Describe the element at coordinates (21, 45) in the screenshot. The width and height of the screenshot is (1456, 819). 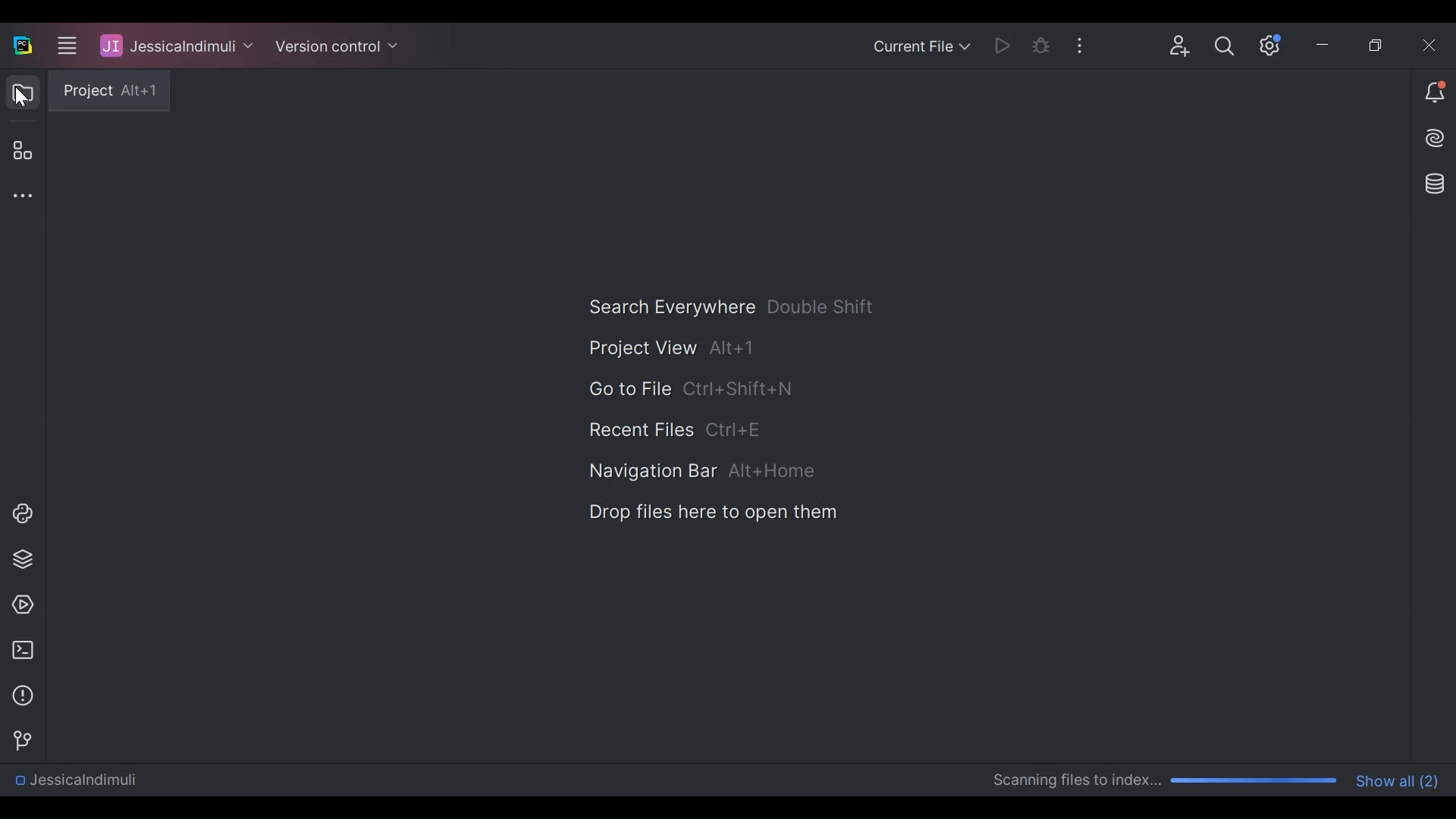
I see `PyCharm Desktop icon` at that location.